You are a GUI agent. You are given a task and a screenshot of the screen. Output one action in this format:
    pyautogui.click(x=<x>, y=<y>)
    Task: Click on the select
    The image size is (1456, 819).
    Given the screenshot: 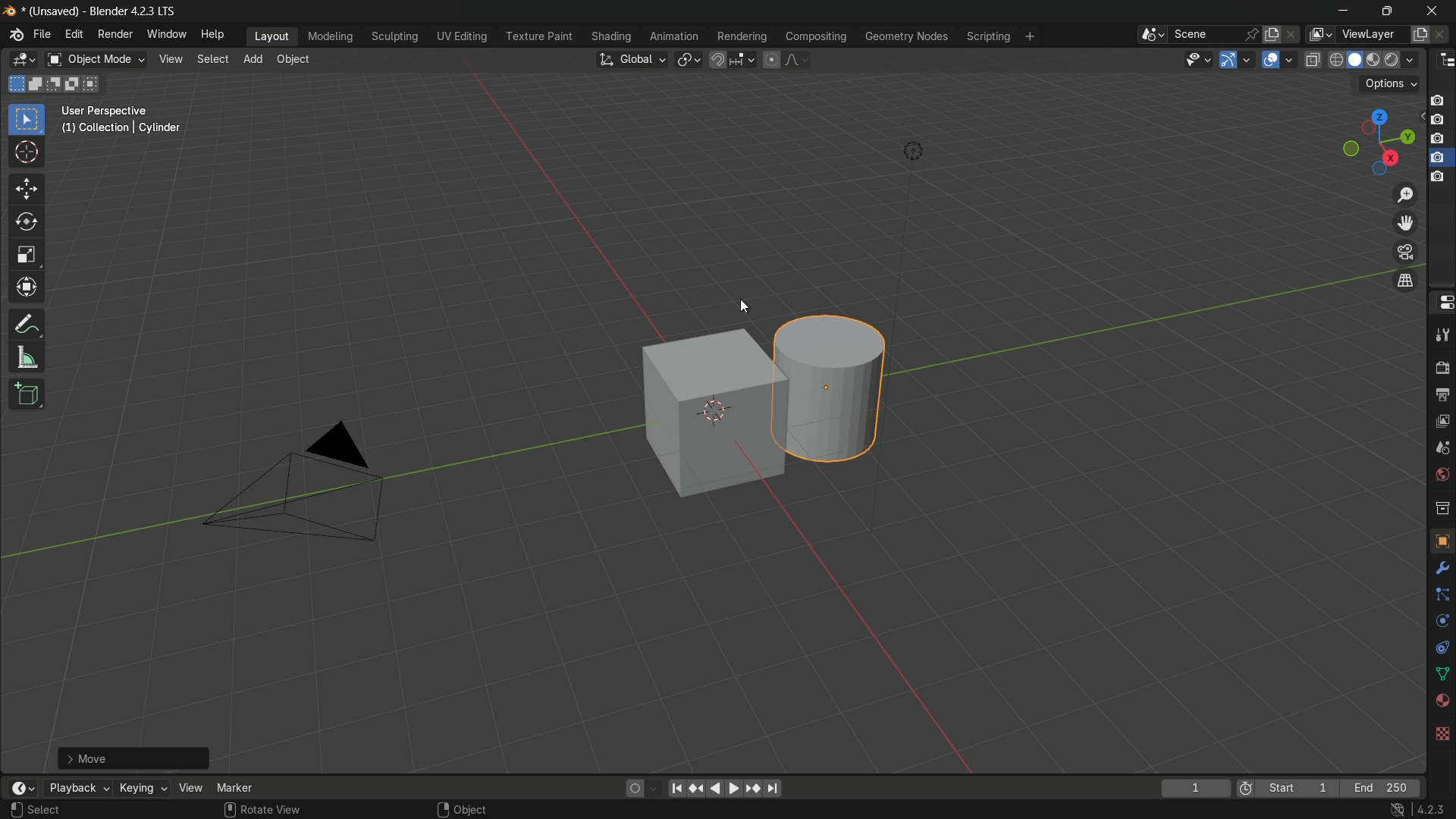 What is the action you would take?
    pyautogui.click(x=106, y=810)
    